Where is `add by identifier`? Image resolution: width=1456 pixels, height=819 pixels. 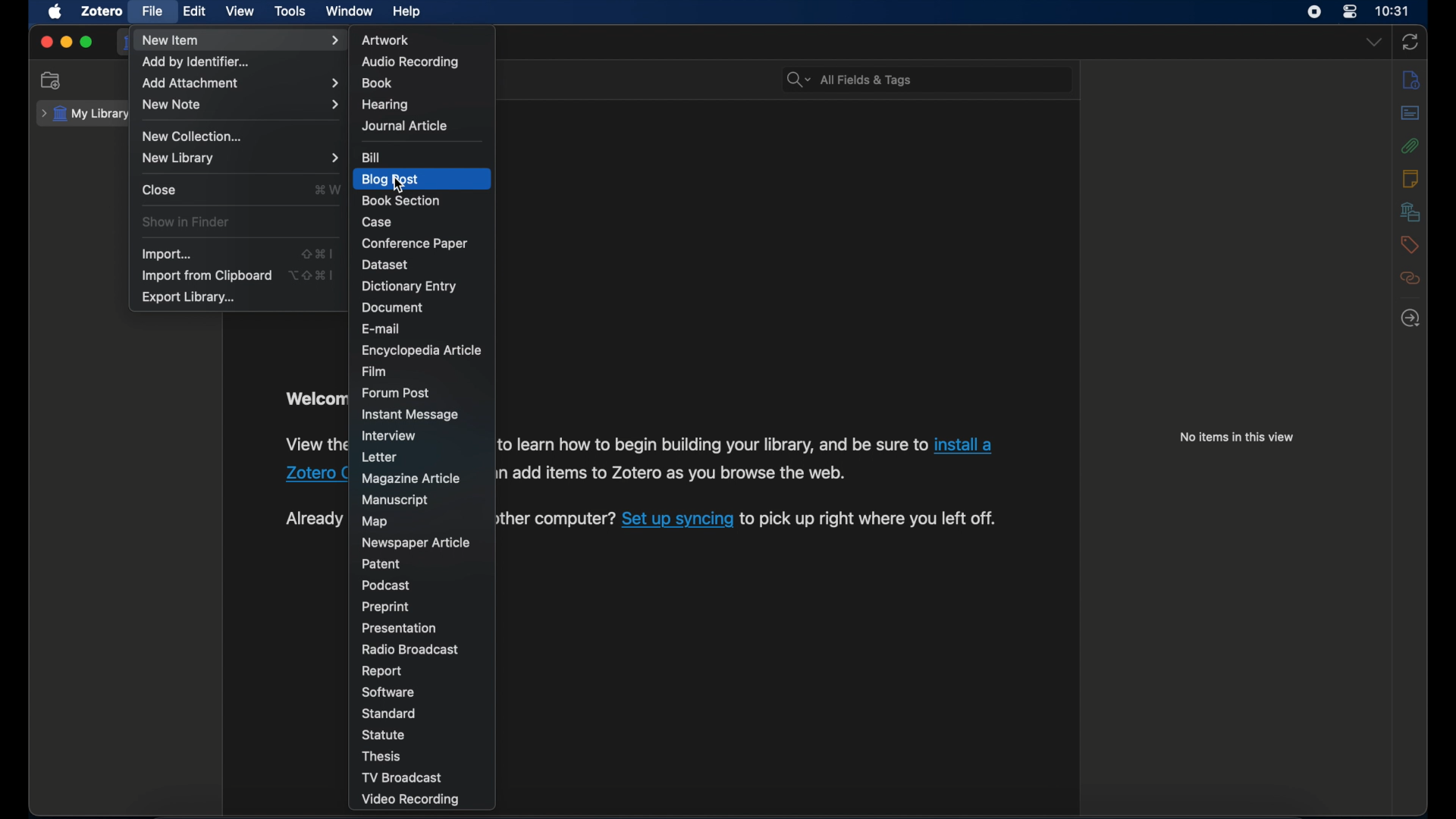
add by identifier is located at coordinates (196, 64).